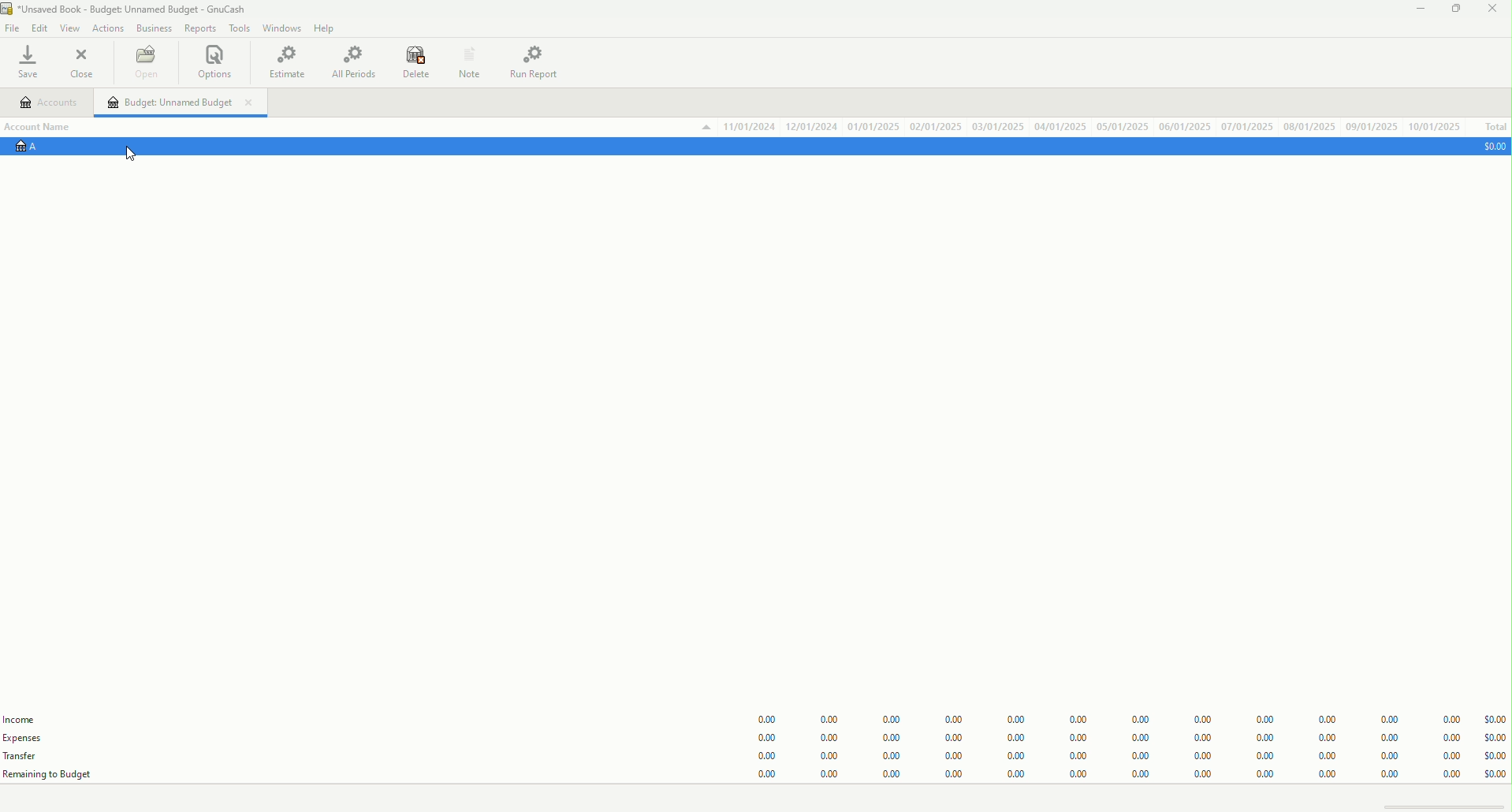 The width and height of the screenshot is (1512, 812). What do you see at coordinates (156, 27) in the screenshot?
I see `Business` at bounding box center [156, 27].